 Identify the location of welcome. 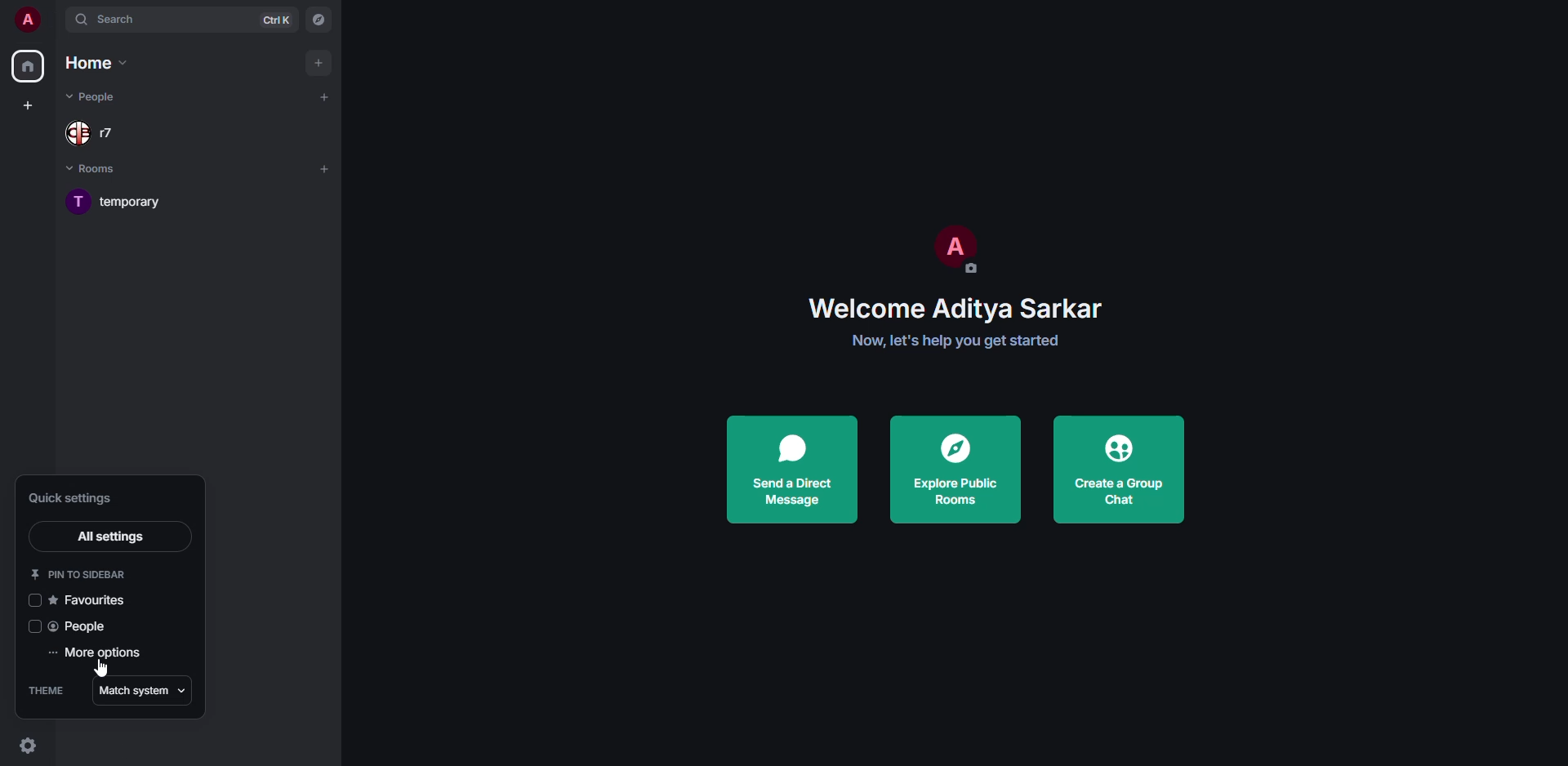
(965, 307).